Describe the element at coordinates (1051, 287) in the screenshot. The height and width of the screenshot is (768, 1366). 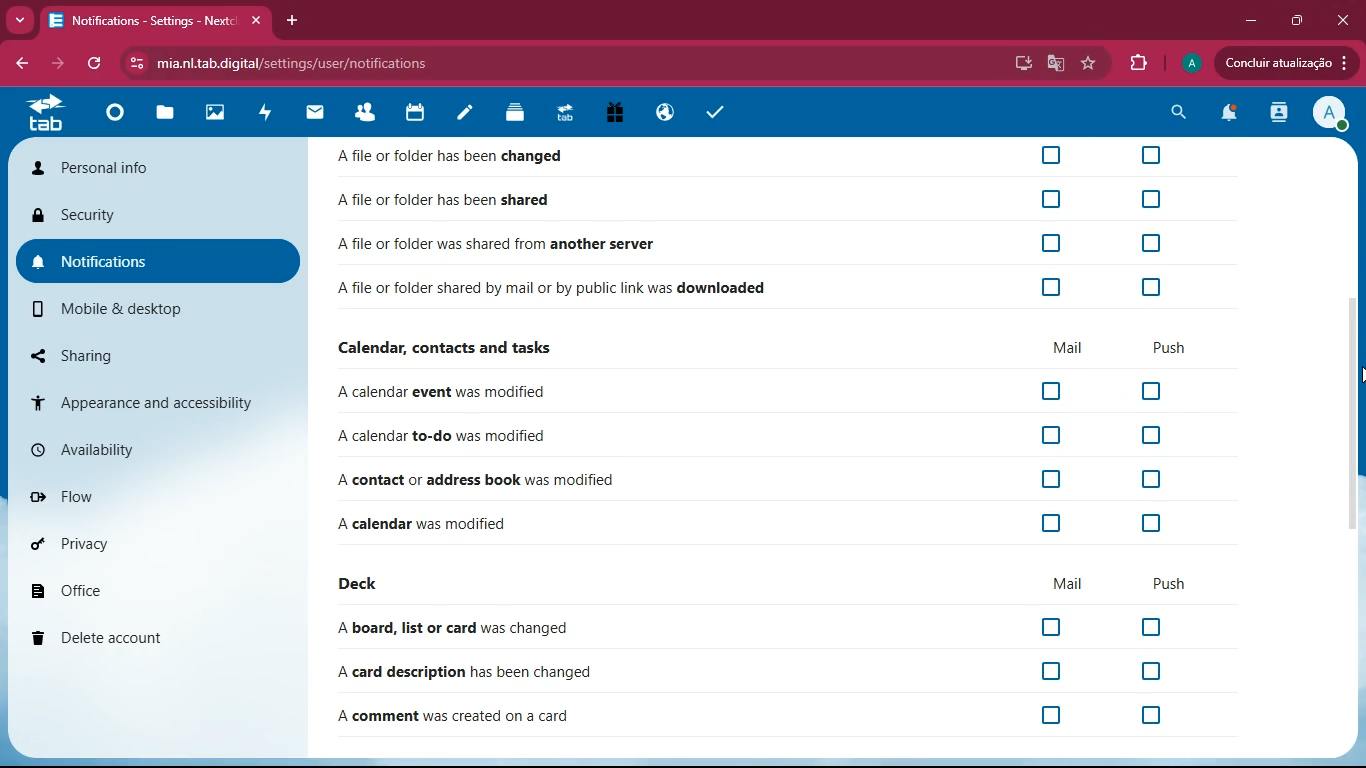
I see `off` at that location.